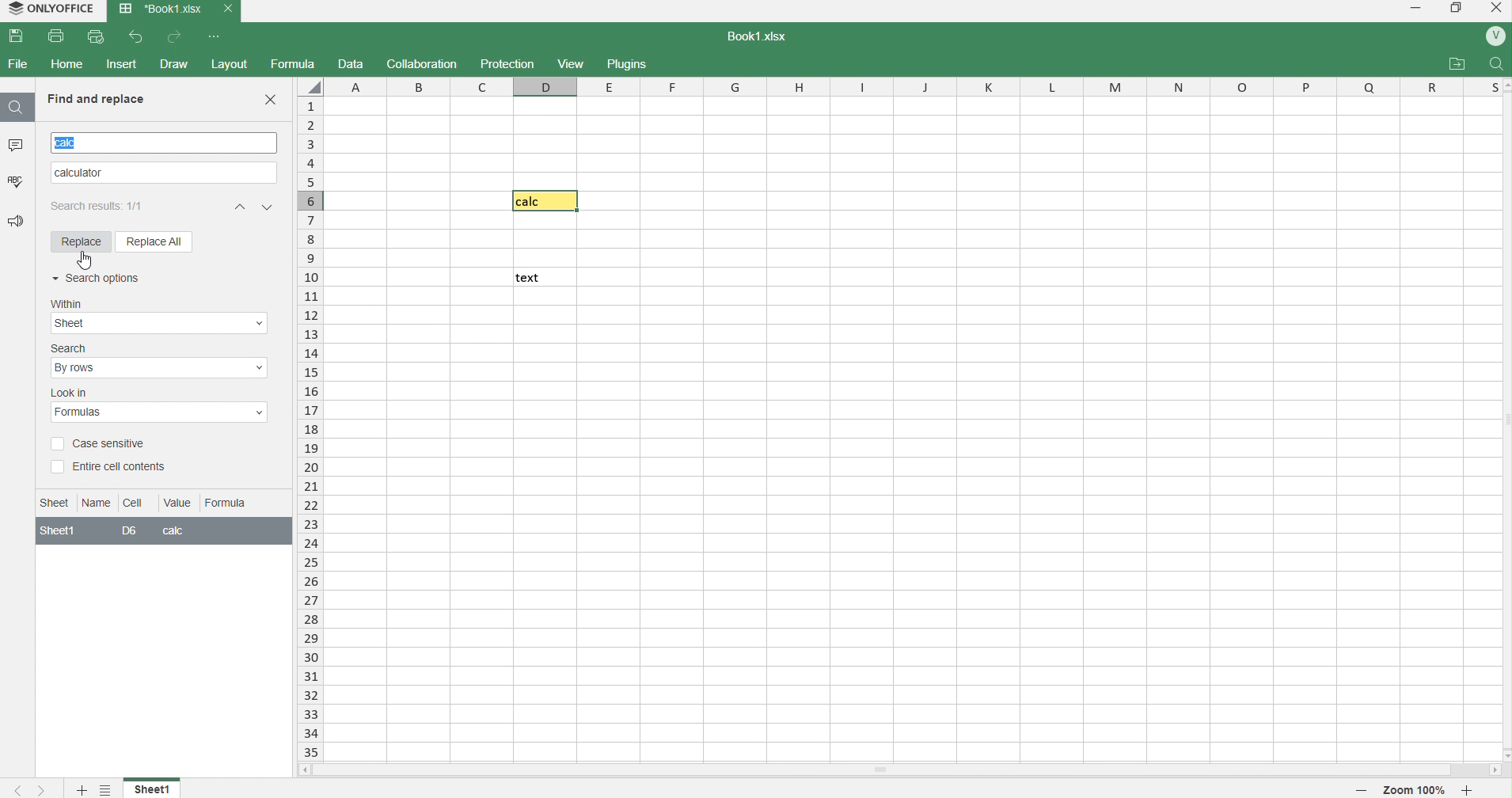 The image size is (1512, 798). I want to click on profile, so click(1491, 36).